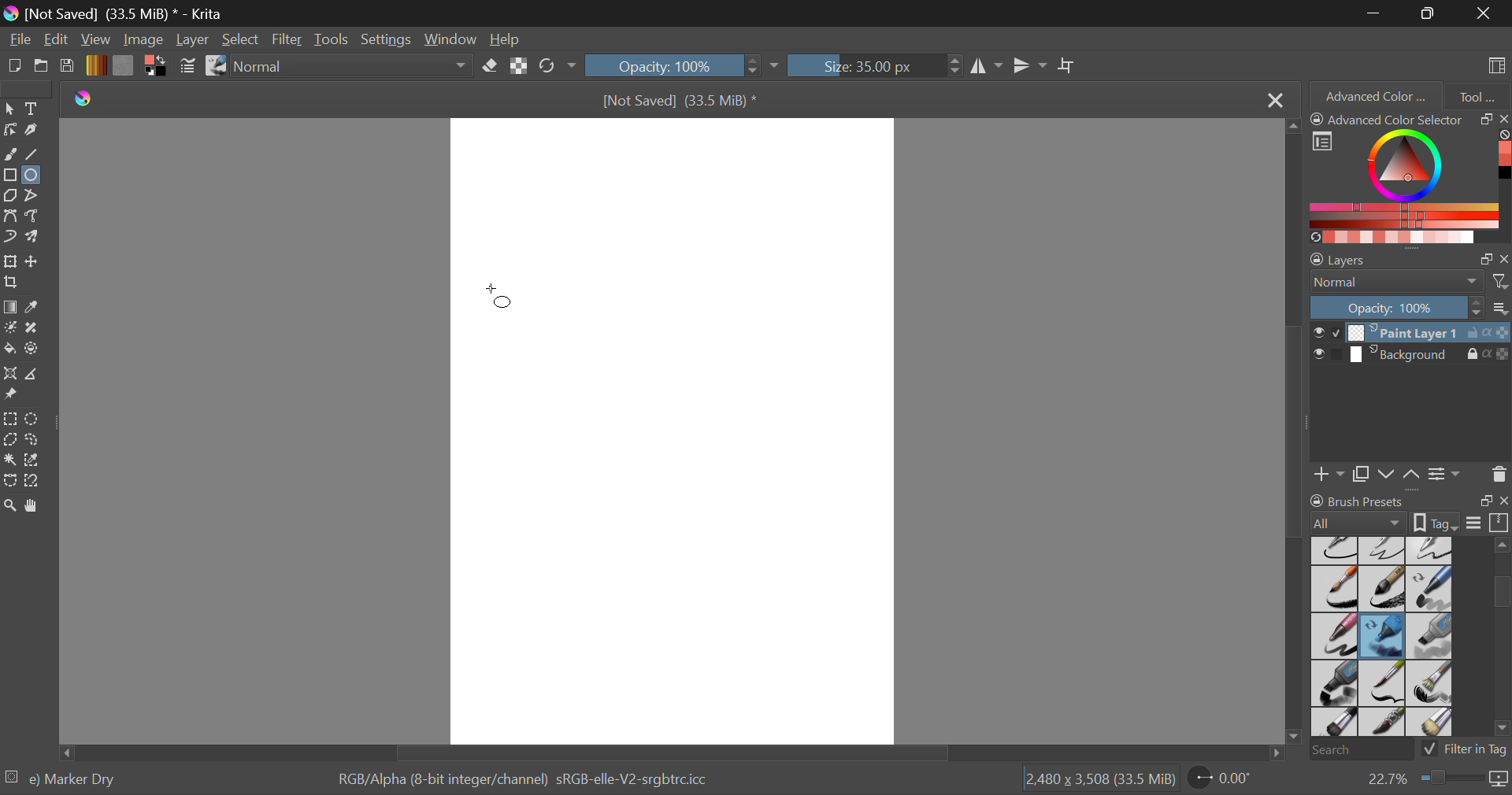  What do you see at coordinates (34, 108) in the screenshot?
I see `Text` at bounding box center [34, 108].